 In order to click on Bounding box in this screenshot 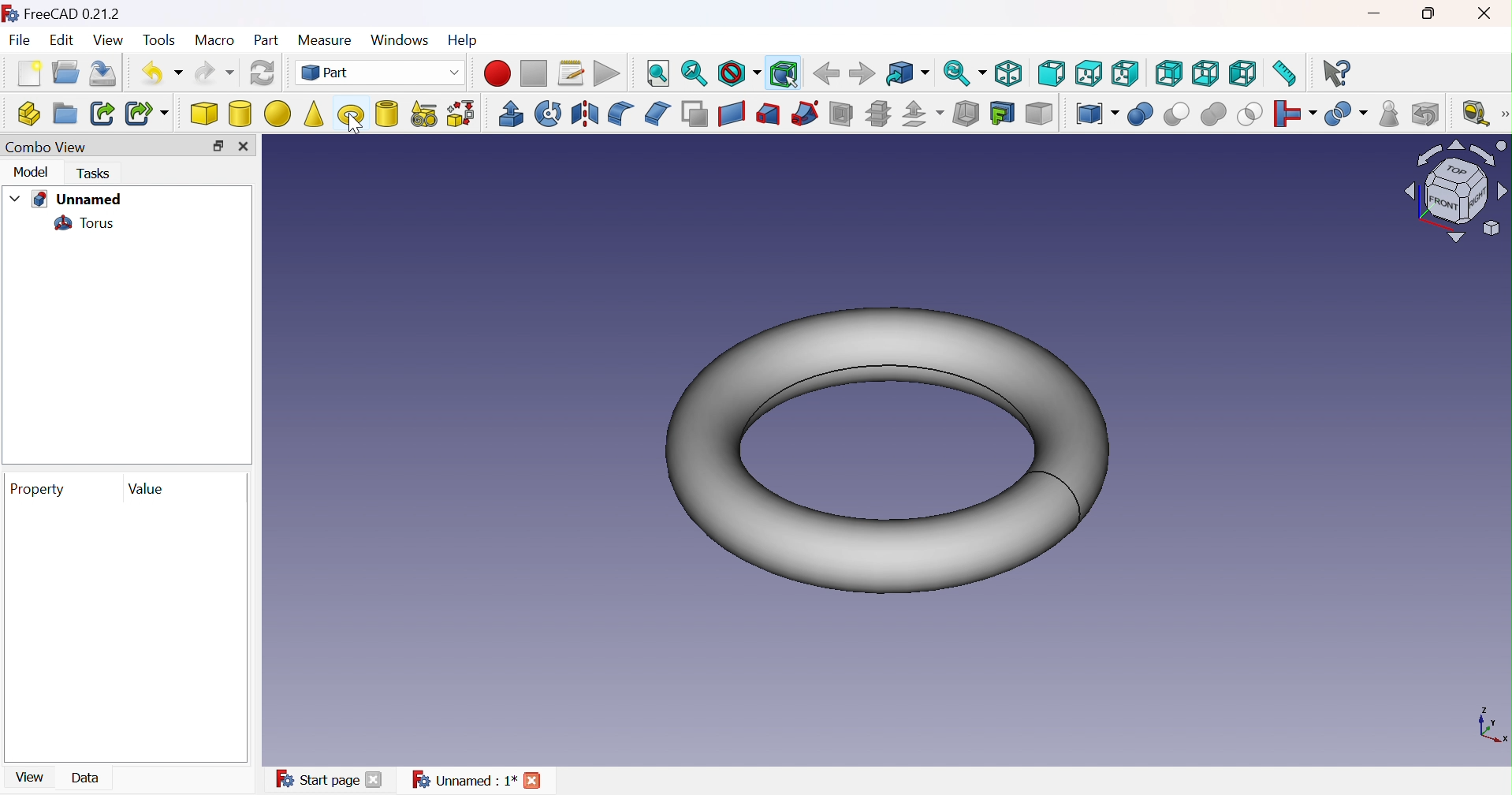, I will do `click(780, 74)`.